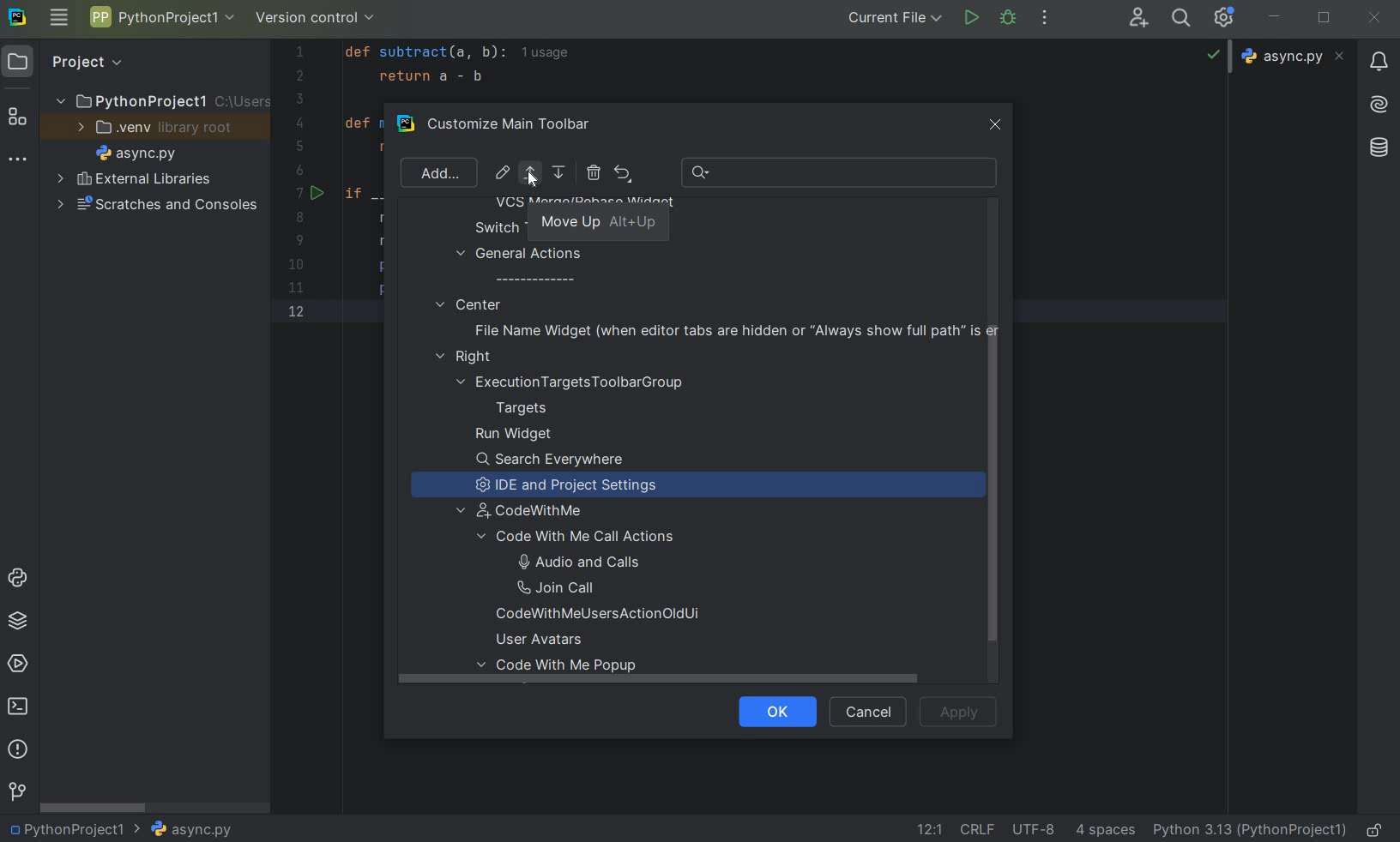 The height and width of the screenshot is (842, 1400). I want to click on EXTERNAL LIBRARIES, so click(135, 180).